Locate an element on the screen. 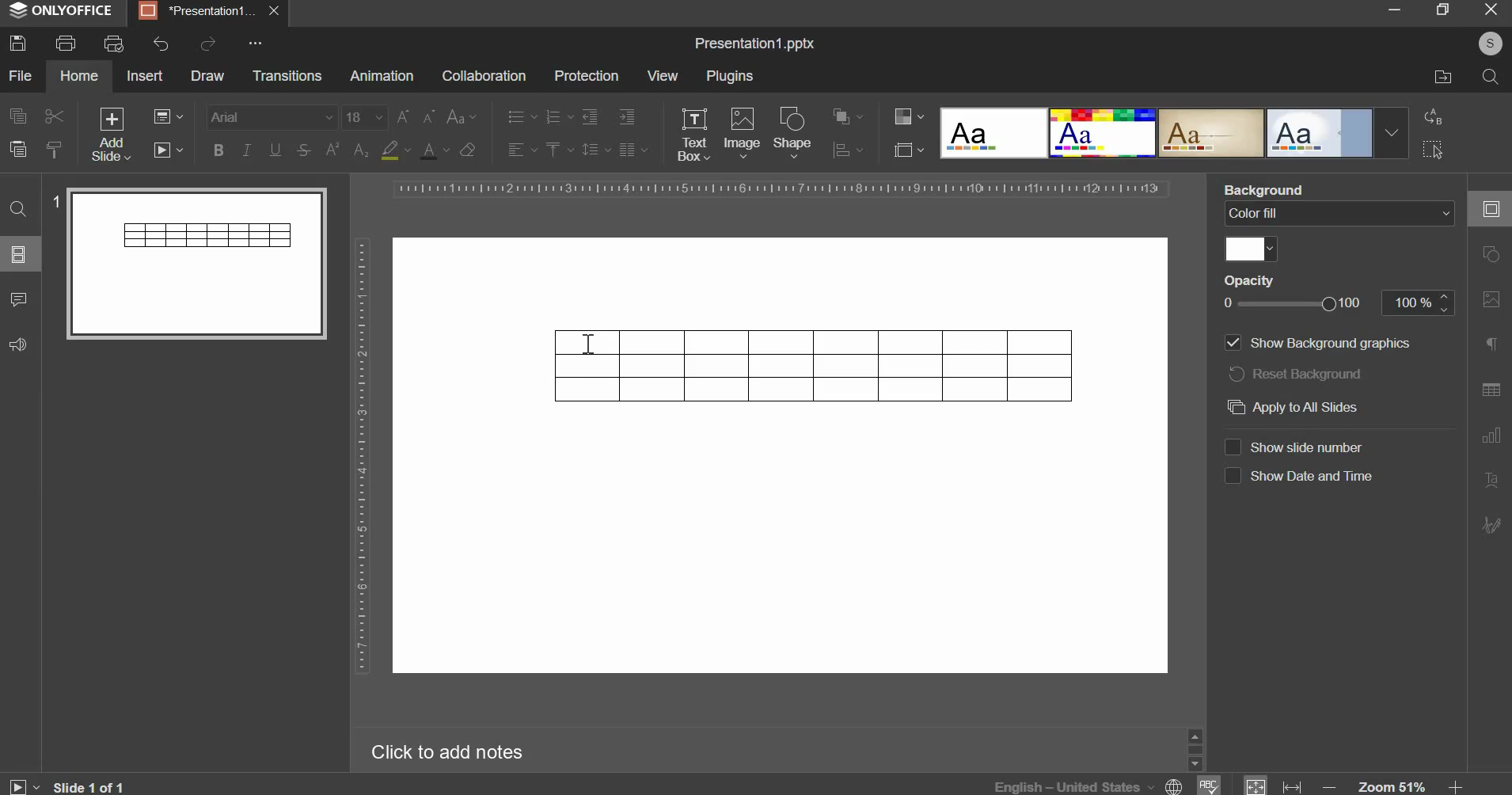 Image resolution: width=1512 pixels, height=795 pixels. underline is located at coordinates (274, 149).